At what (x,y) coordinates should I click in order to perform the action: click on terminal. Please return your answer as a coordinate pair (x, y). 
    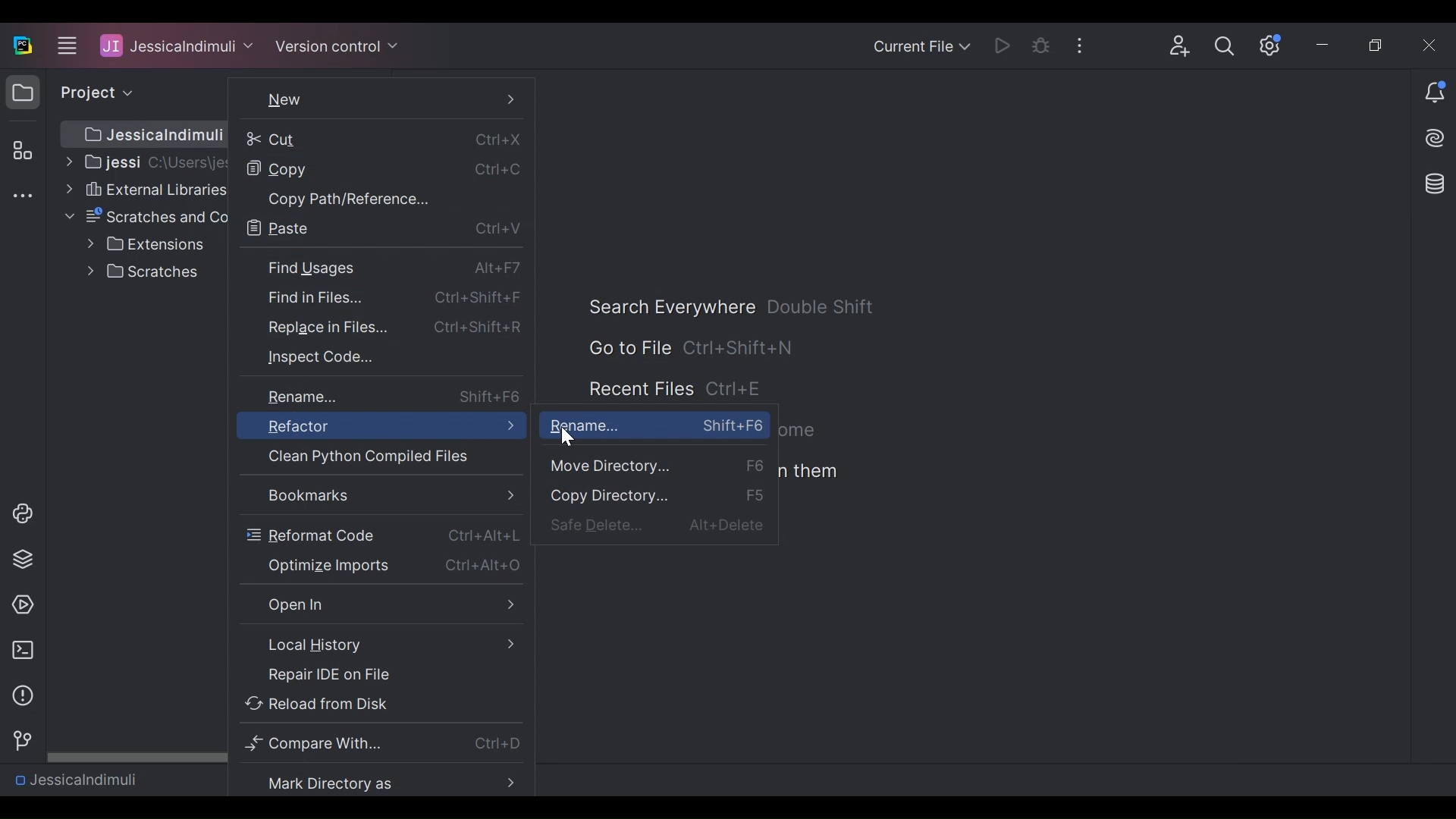
    Looking at the image, I should click on (18, 651).